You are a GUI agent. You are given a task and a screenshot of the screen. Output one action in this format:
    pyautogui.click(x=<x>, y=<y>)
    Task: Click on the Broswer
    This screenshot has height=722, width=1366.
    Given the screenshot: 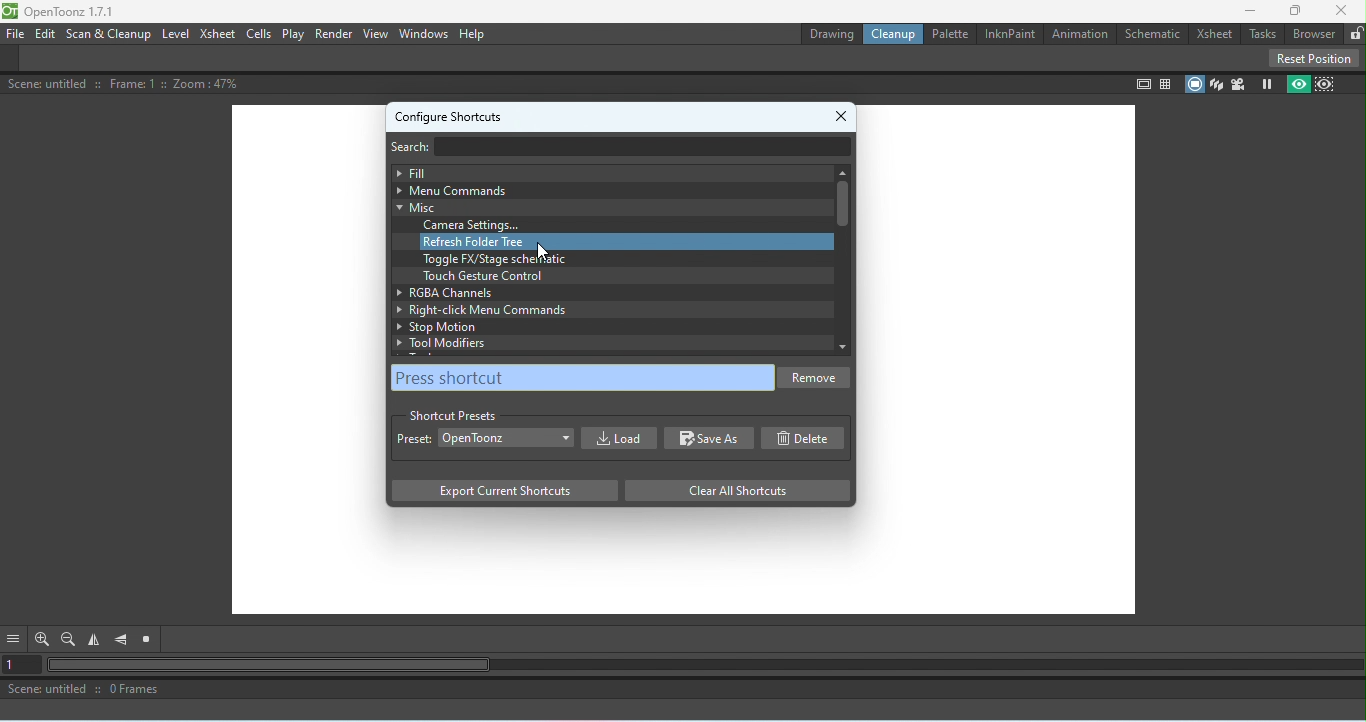 What is the action you would take?
    pyautogui.click(x=1315, y=33)
    